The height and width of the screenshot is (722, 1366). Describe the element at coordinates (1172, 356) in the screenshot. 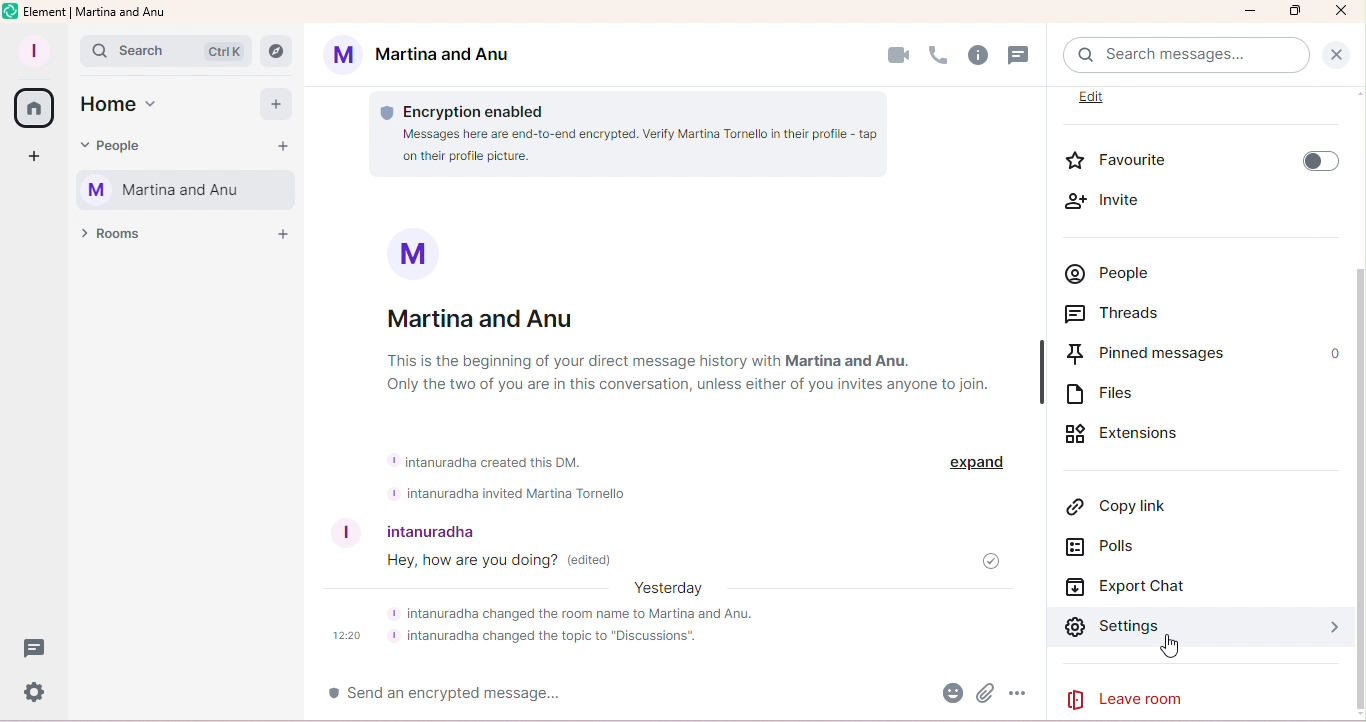

I see `Pinned Messages` at that location.